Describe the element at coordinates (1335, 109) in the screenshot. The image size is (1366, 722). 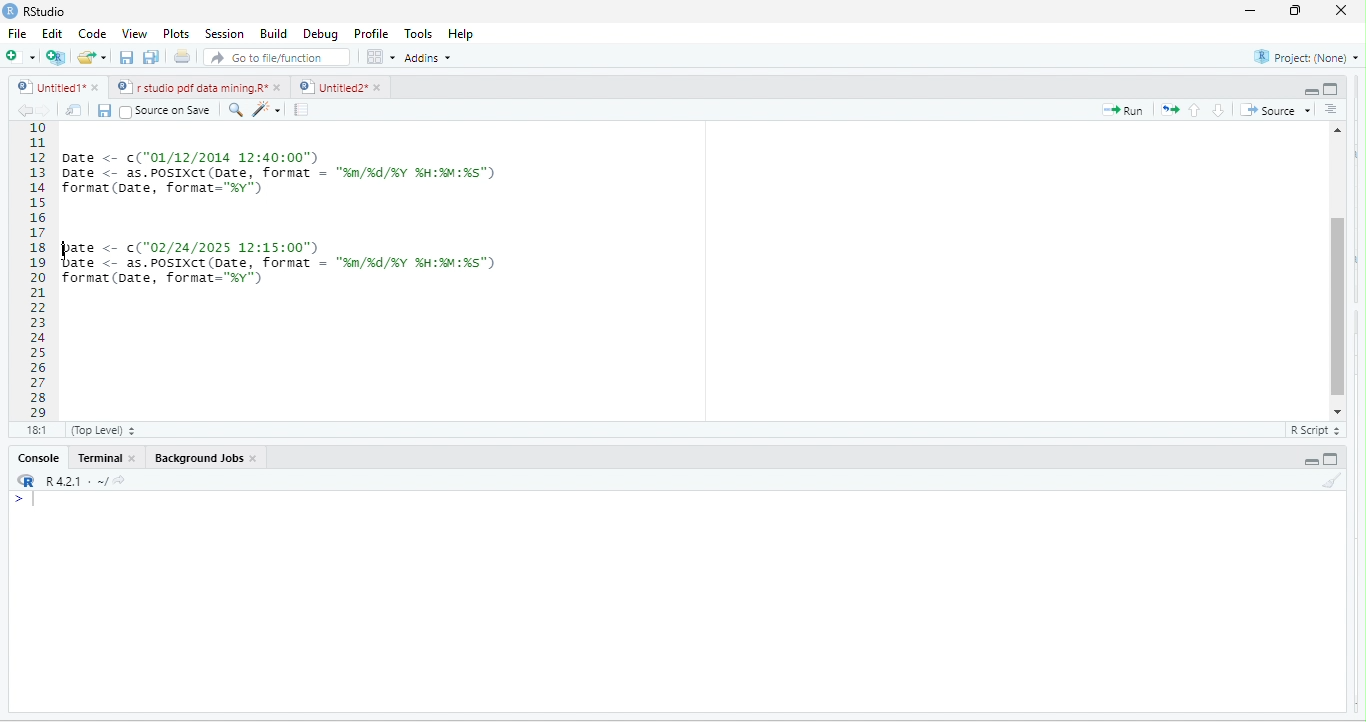
I see `show document outline` at that location.